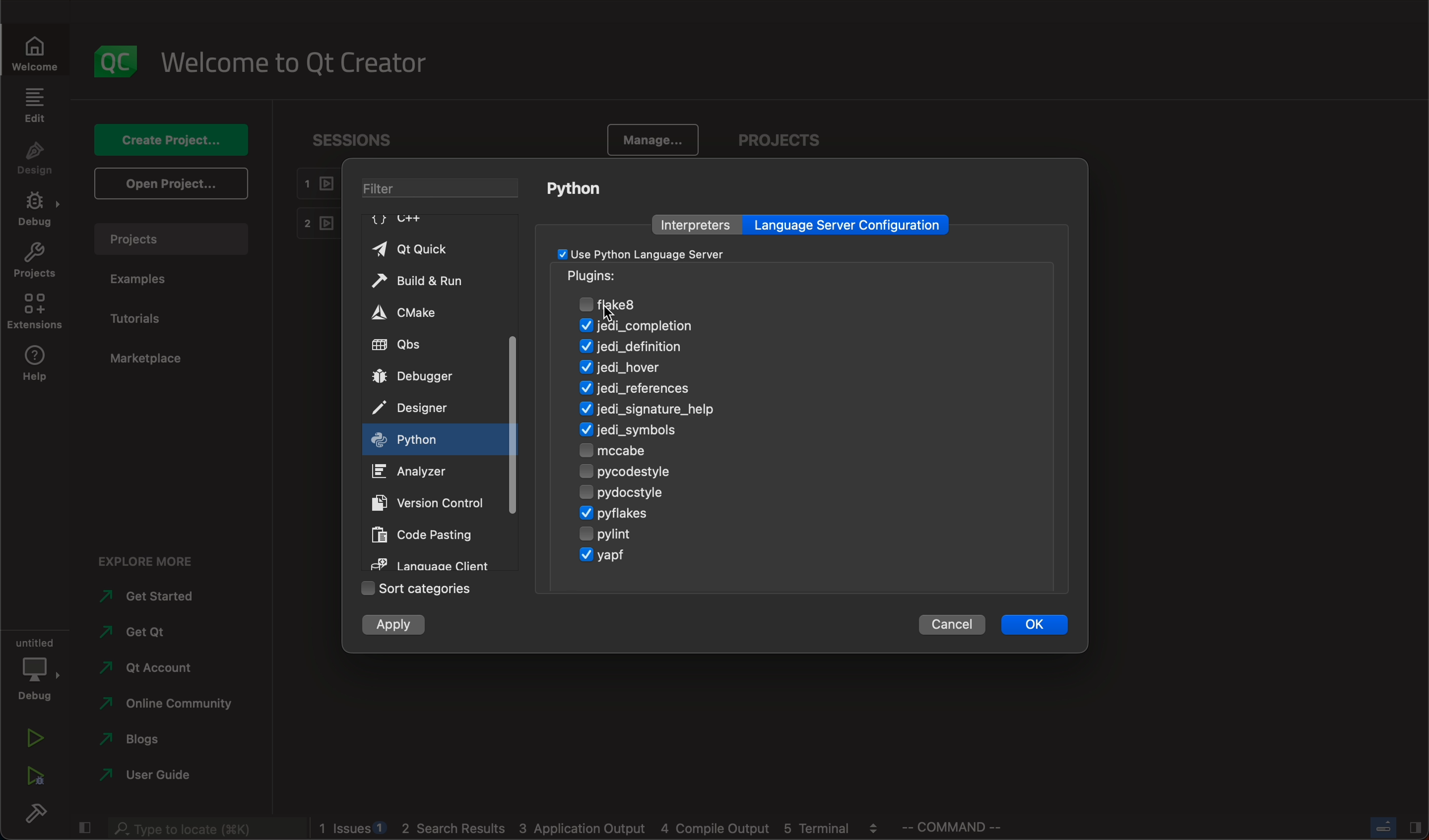 The width and height of the screenshot is (1429, 840). What do you see at coordinates (418, 470) in the screenshot?
I see `analyzer` at bounding box center [418, 470].